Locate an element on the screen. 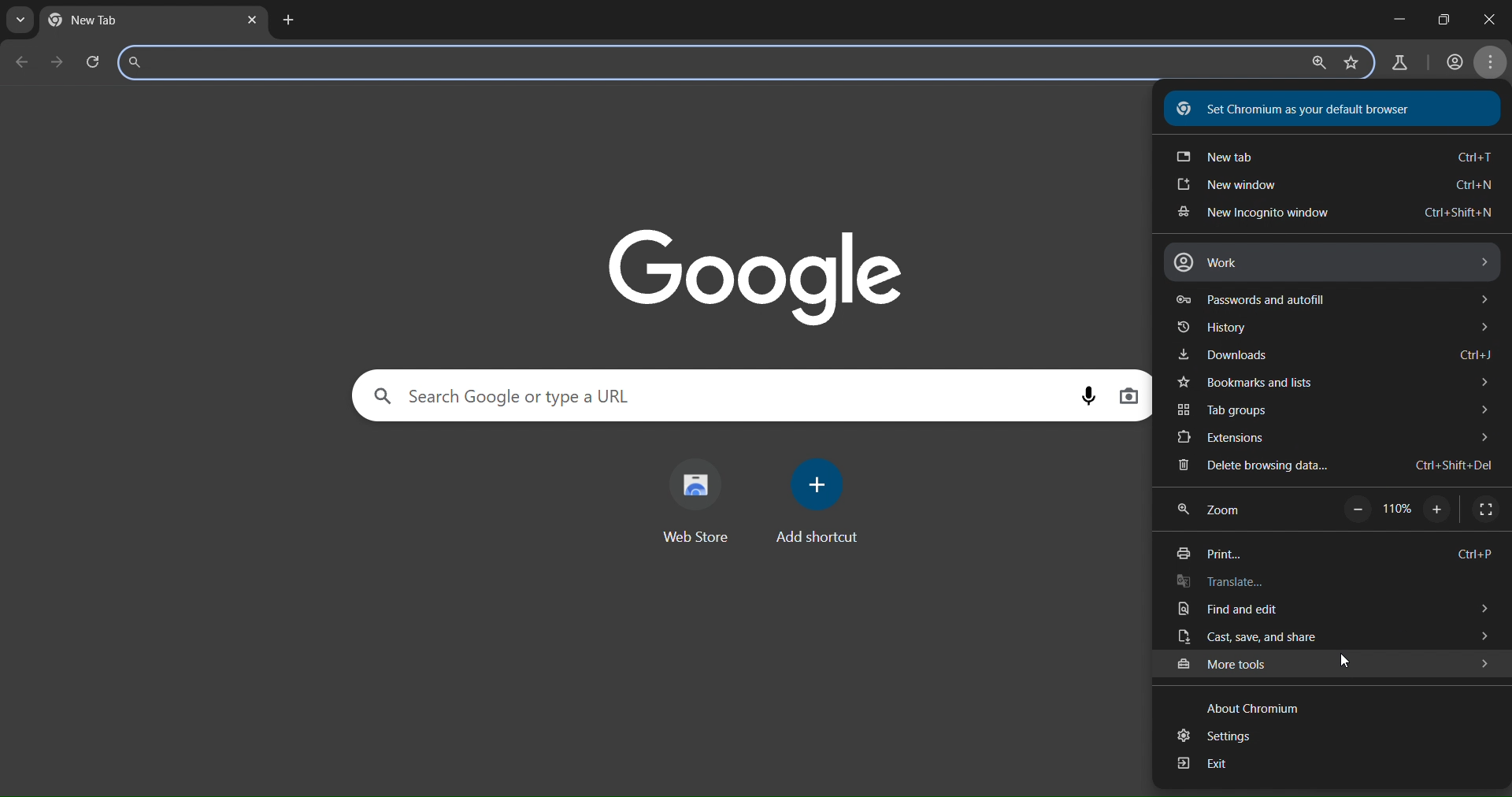 The height and width of the screenshot is (797, 1512). history is located at coordinates (1329, 329).